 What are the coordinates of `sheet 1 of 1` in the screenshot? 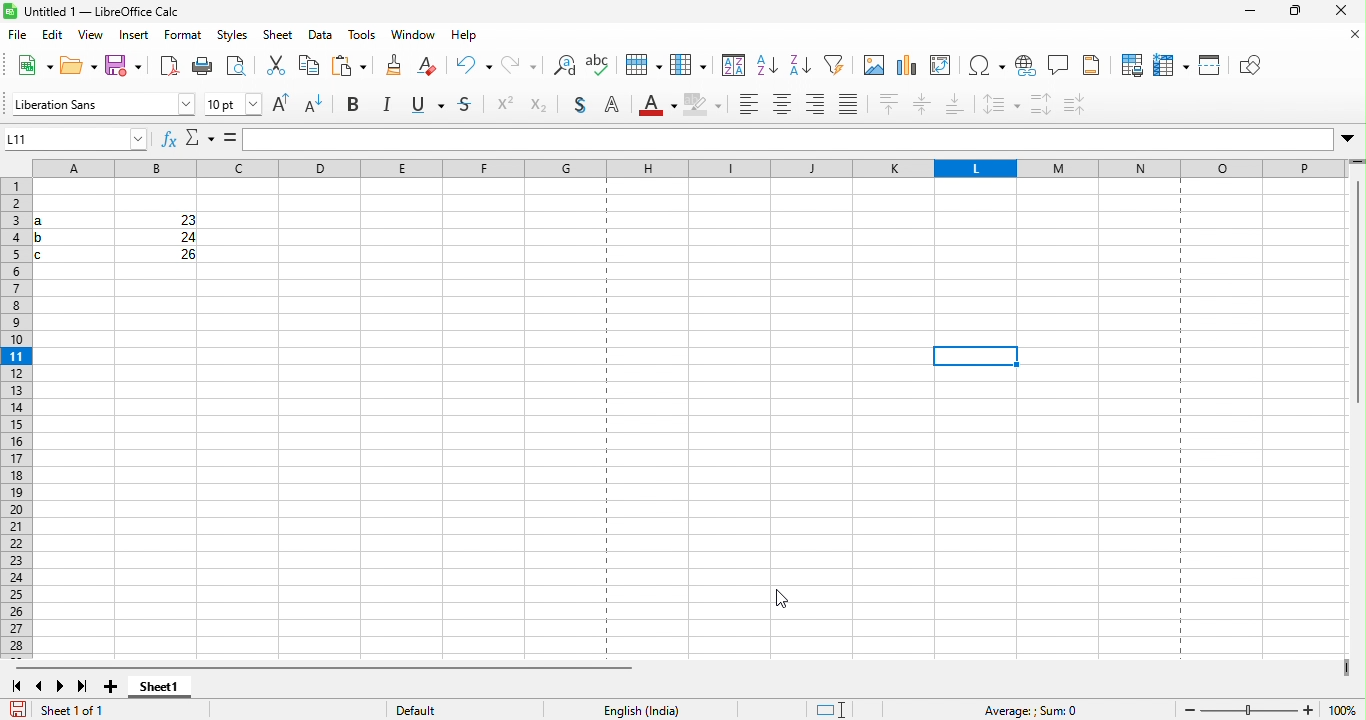 It's located at (66, 707).